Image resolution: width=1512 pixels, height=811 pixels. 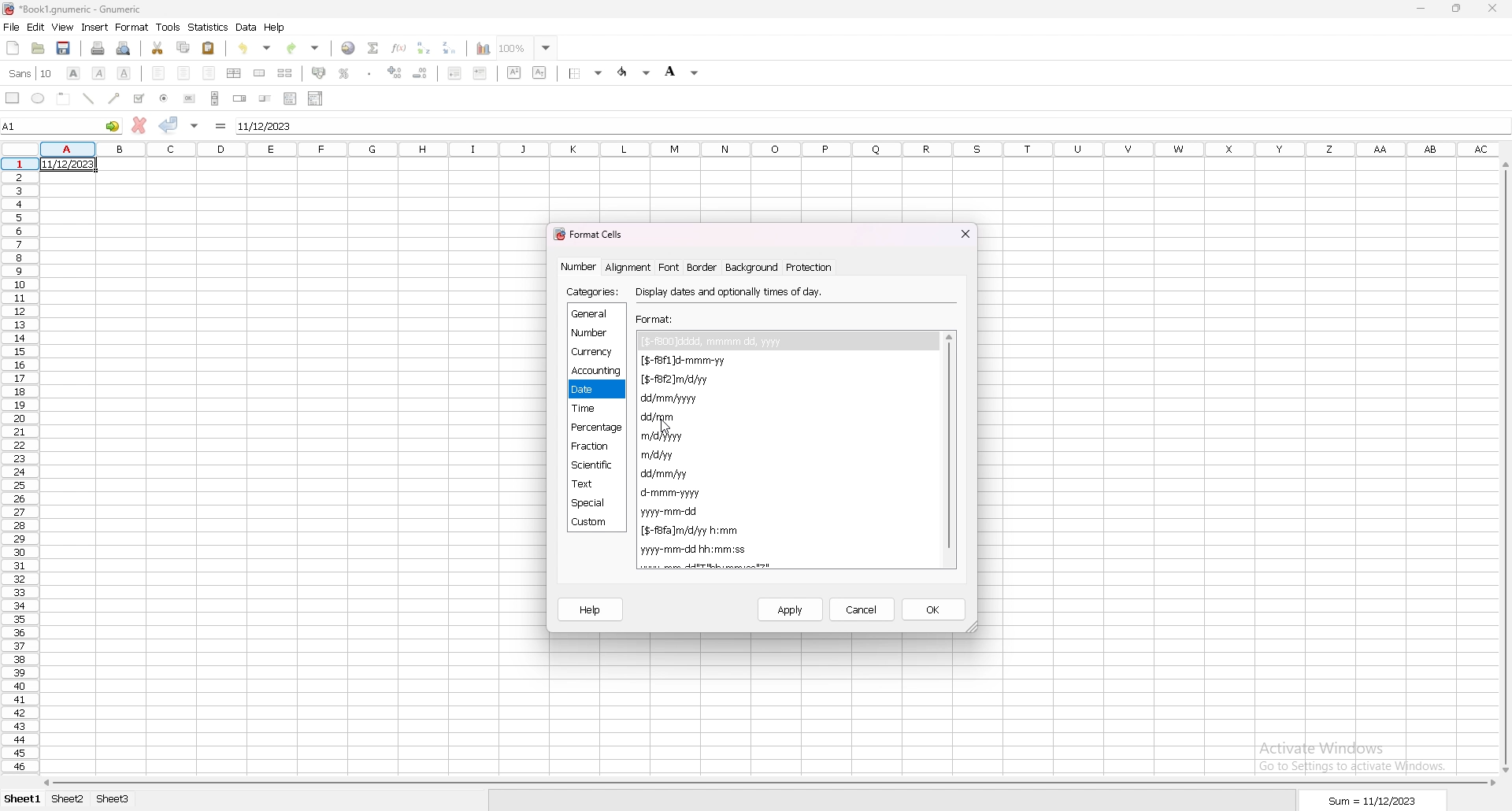 I want to click on time, so click(x=592, y=409).